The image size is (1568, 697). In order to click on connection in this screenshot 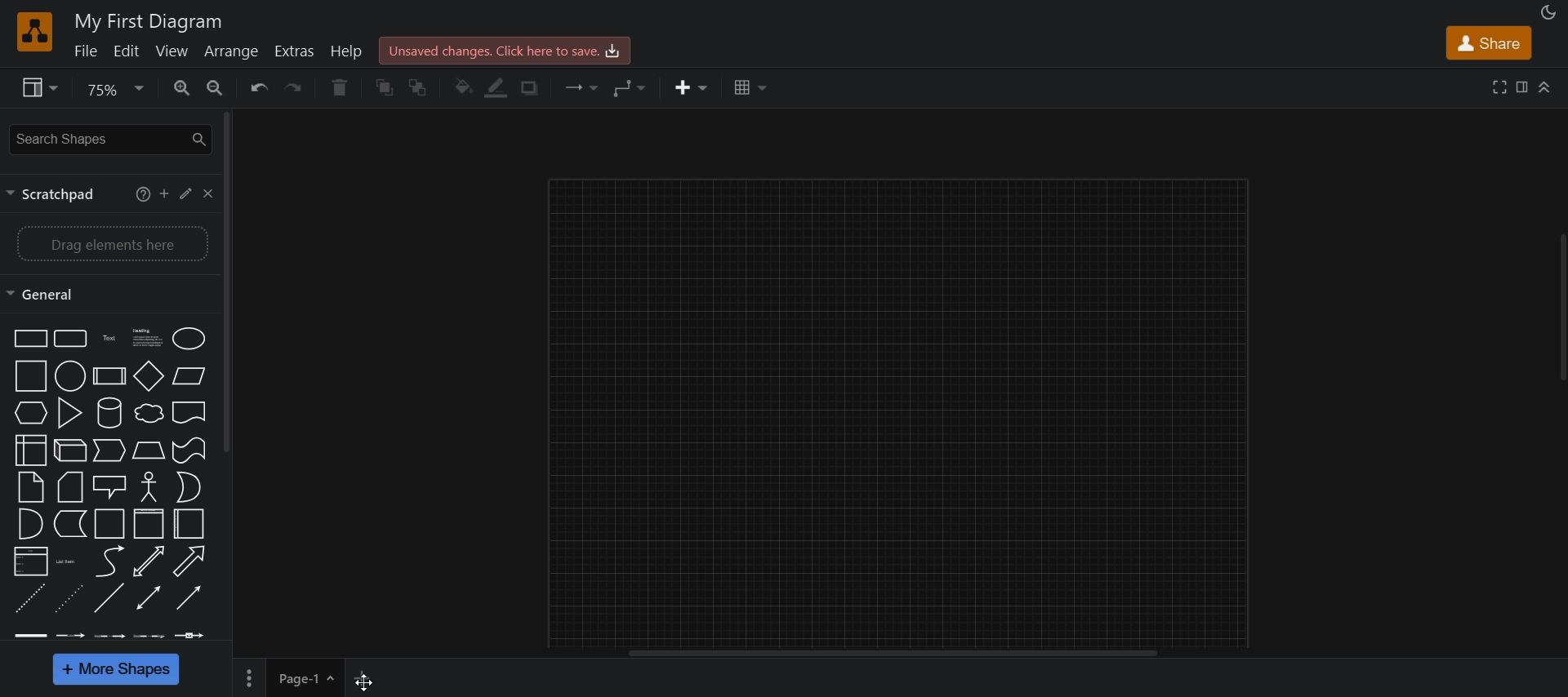, I will do `click(584, 93)`.